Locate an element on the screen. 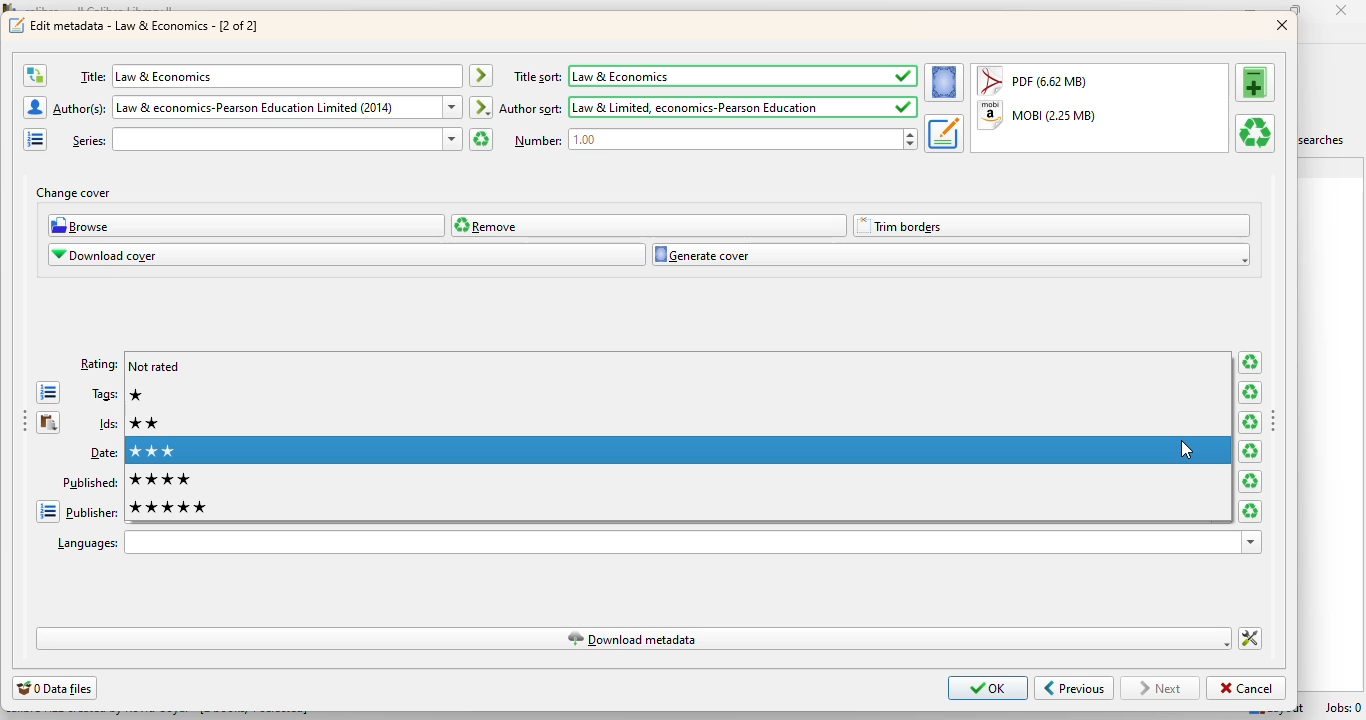 The height and width of the screenshot is (720, 1366). MOBI (2.25 MB) is located at coordinates (1038, 116).